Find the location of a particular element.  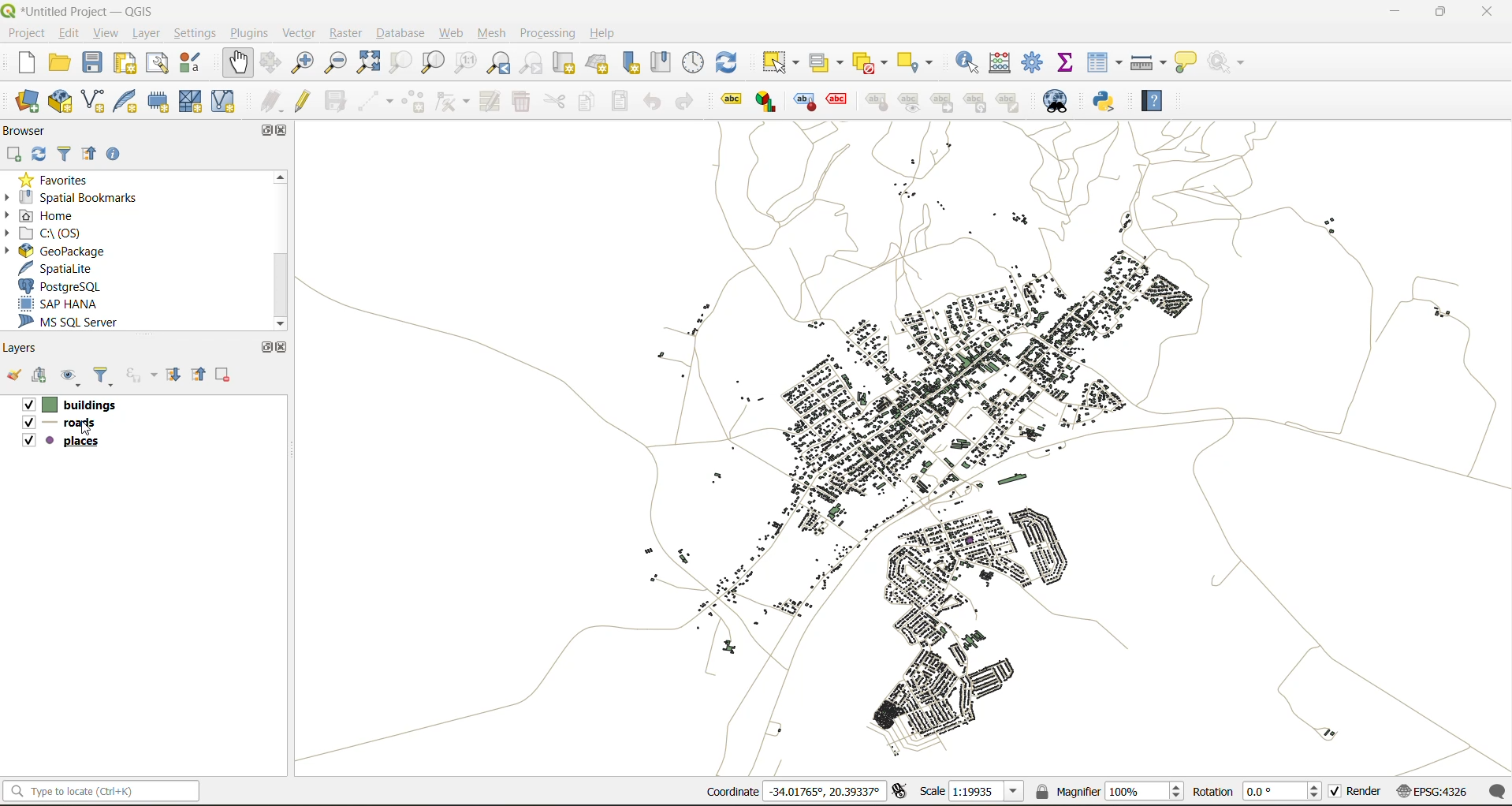

favorites is located at coordinates (61, 182).